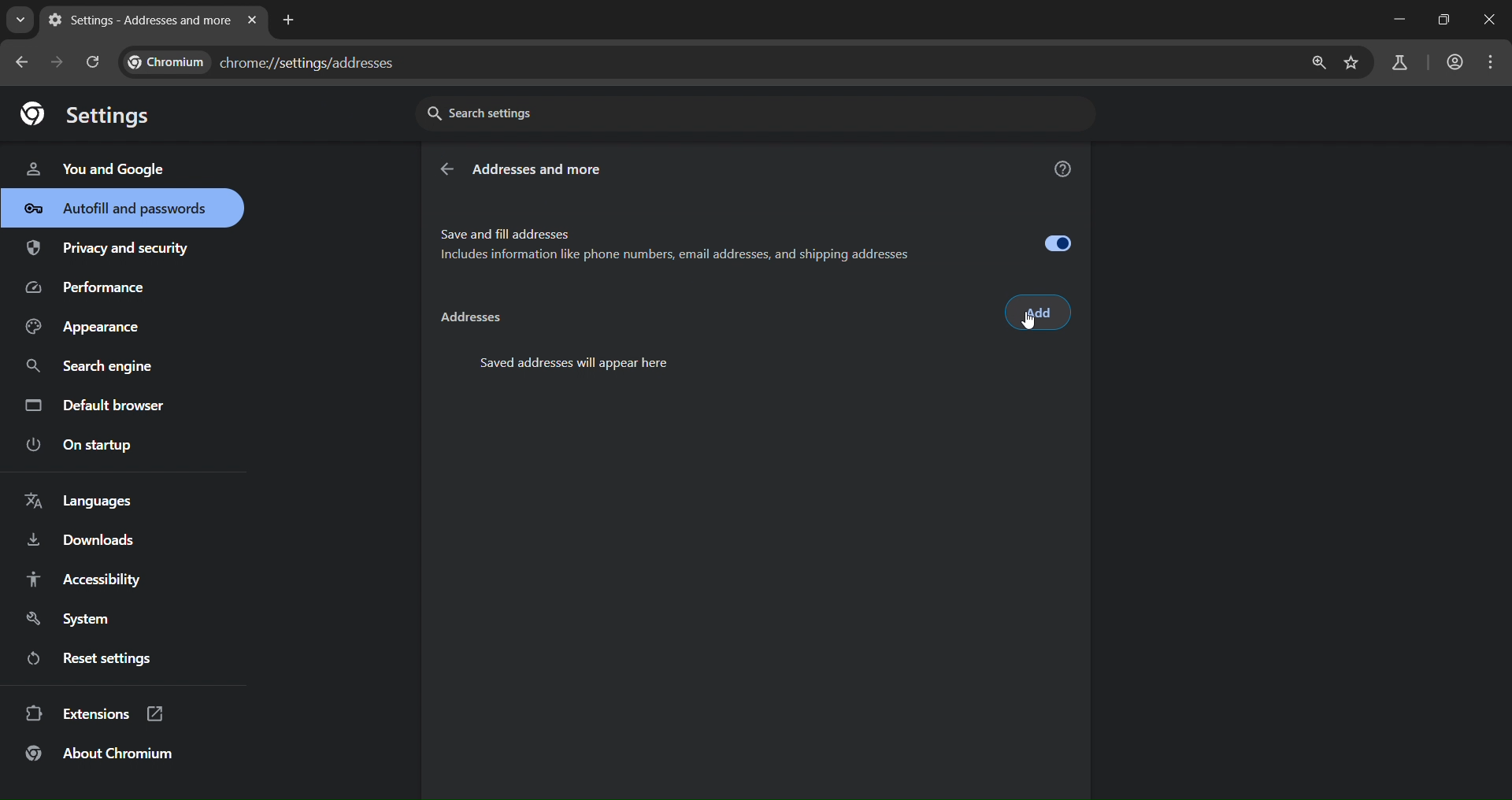 The height and width of the screenshot is (800, 1512). Describe the element at coordinates (91, 61) in the screenshot. I see `reload` at that location.